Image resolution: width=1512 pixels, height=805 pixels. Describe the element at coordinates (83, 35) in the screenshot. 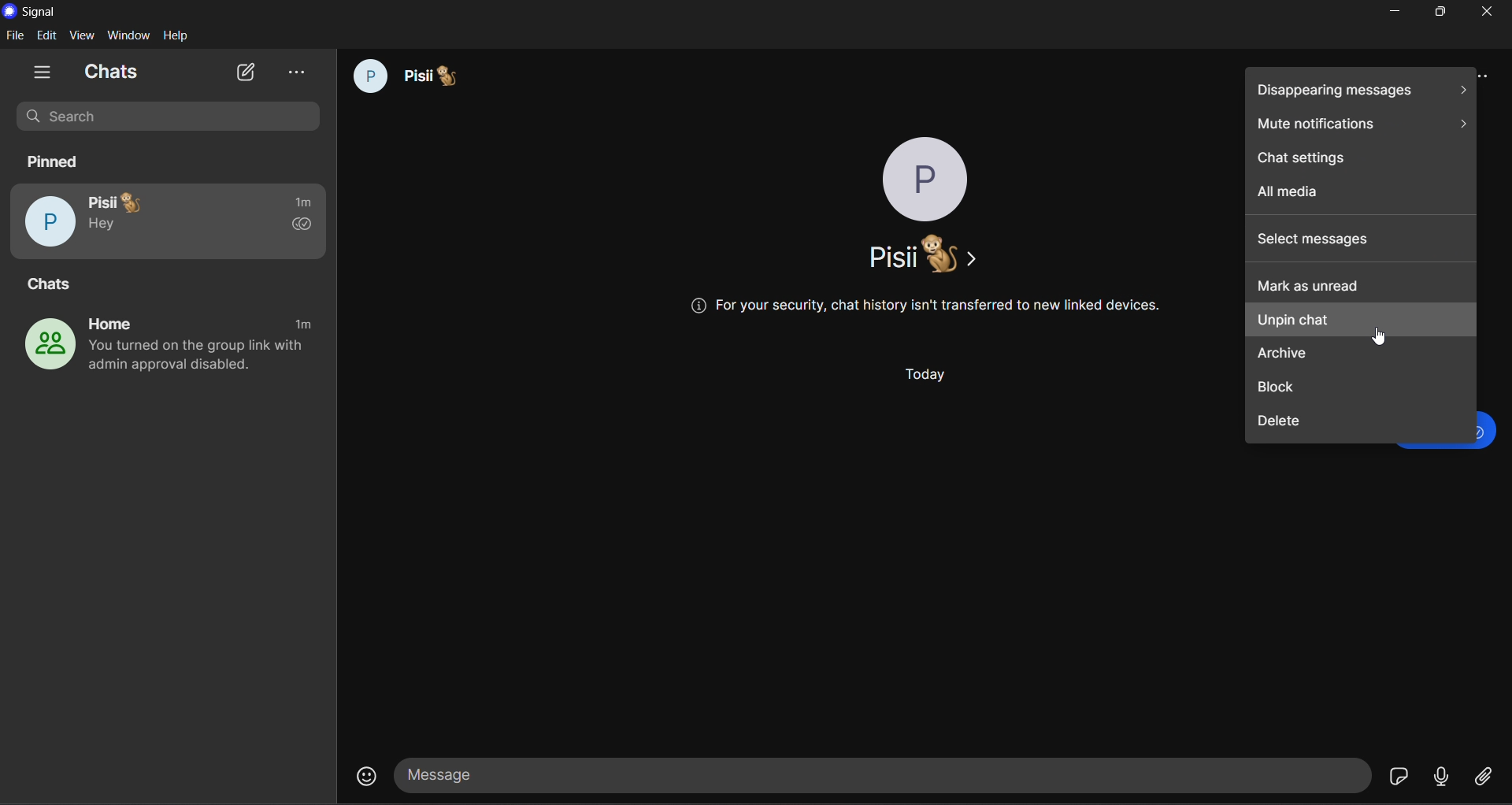

I see `view` at that location.